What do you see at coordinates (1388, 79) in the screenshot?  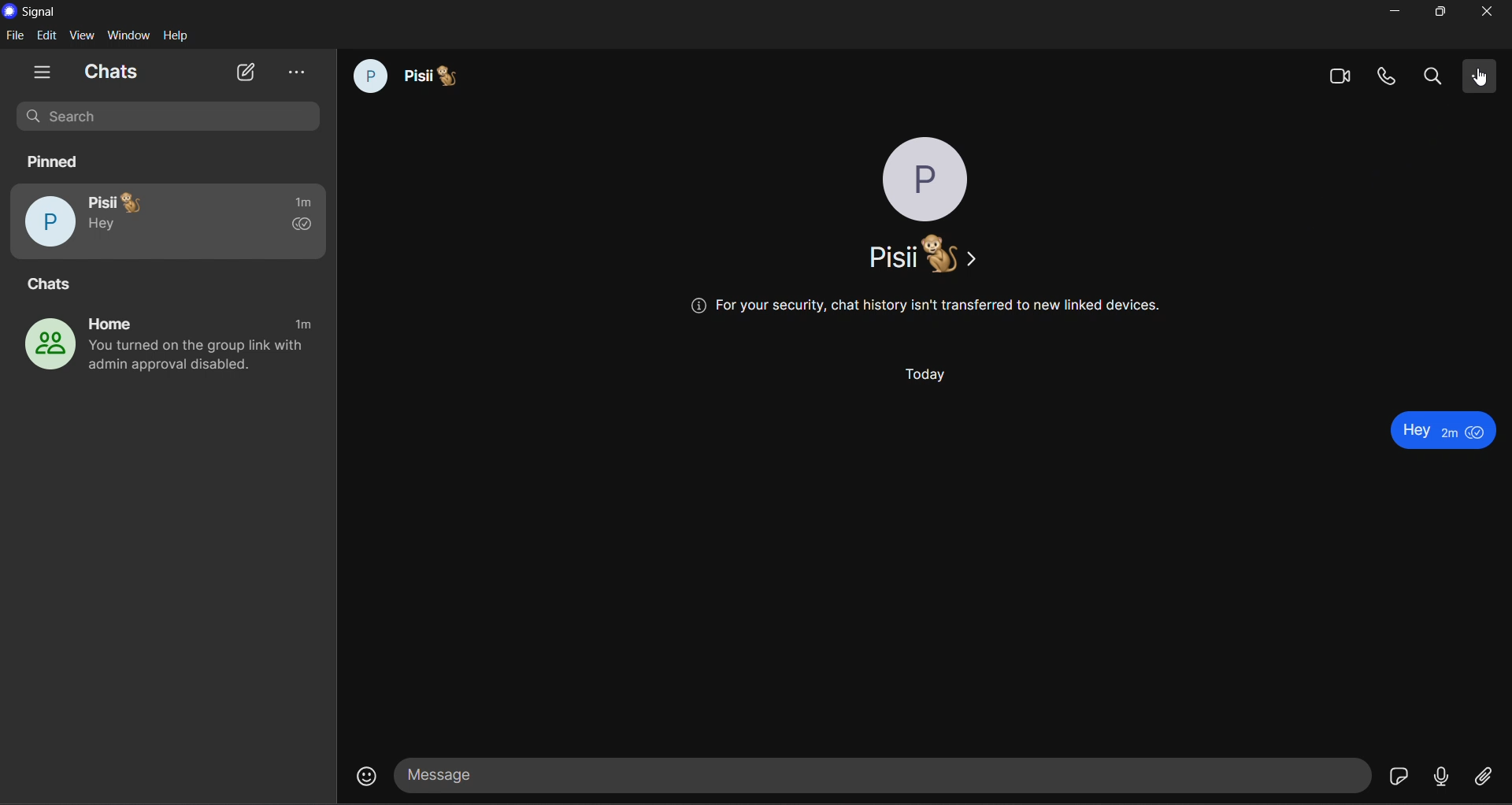 I see `calls` at bounding box center [1388, 79].